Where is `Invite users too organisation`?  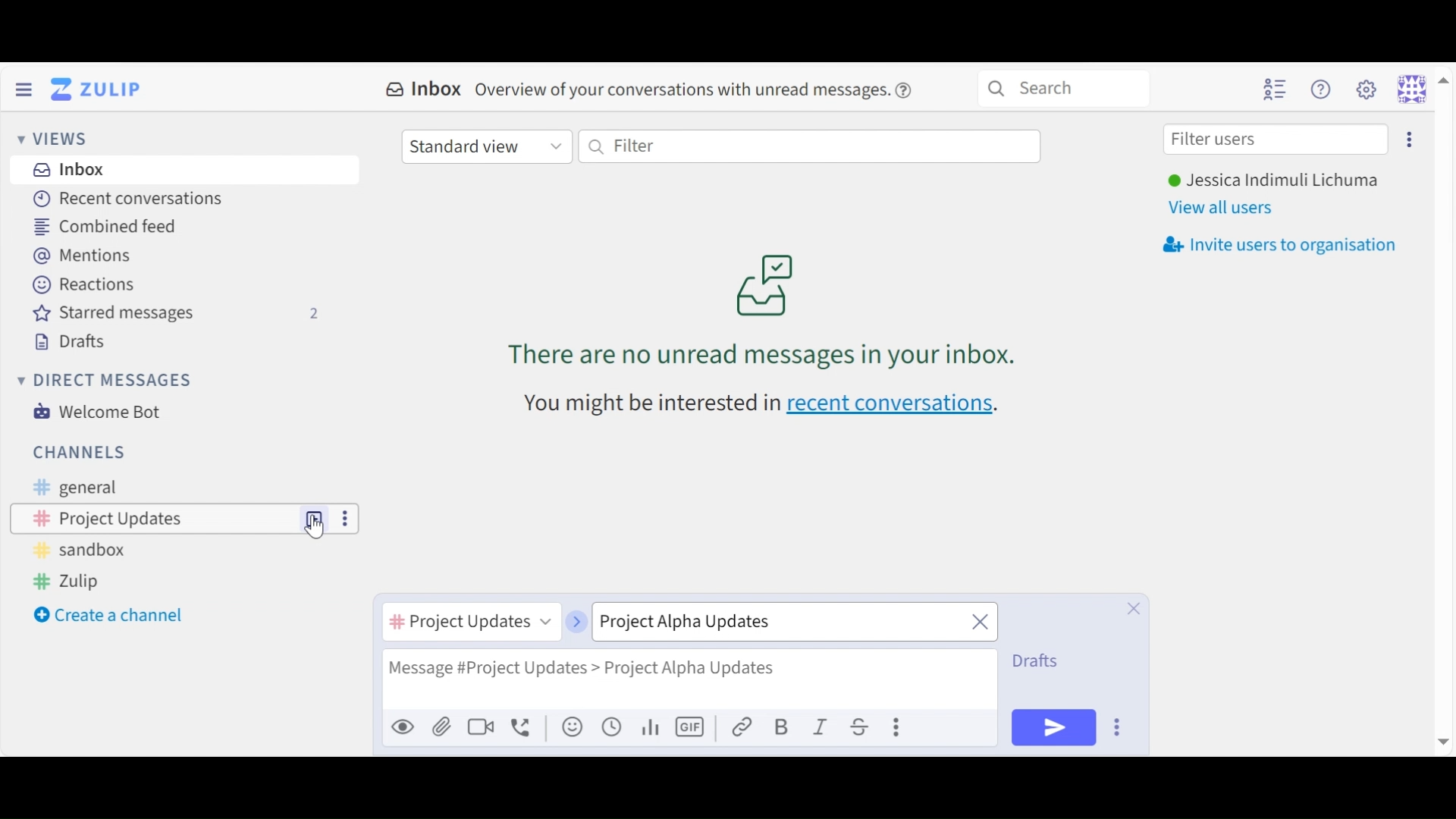 Invite users too organisation is located at coordinates (1408, 138).